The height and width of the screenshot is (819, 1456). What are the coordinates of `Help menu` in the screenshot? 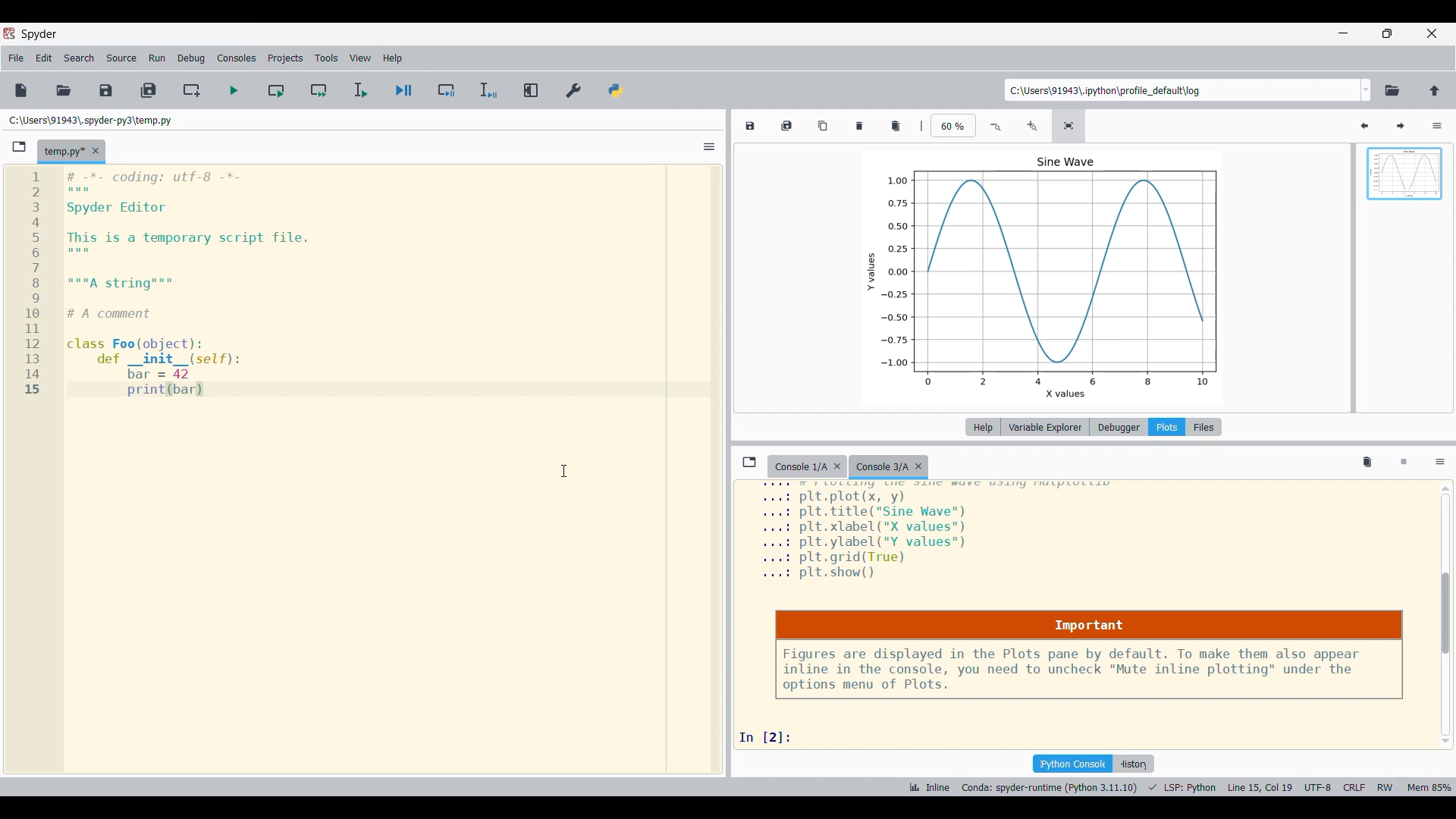 It's located at (394, 58).